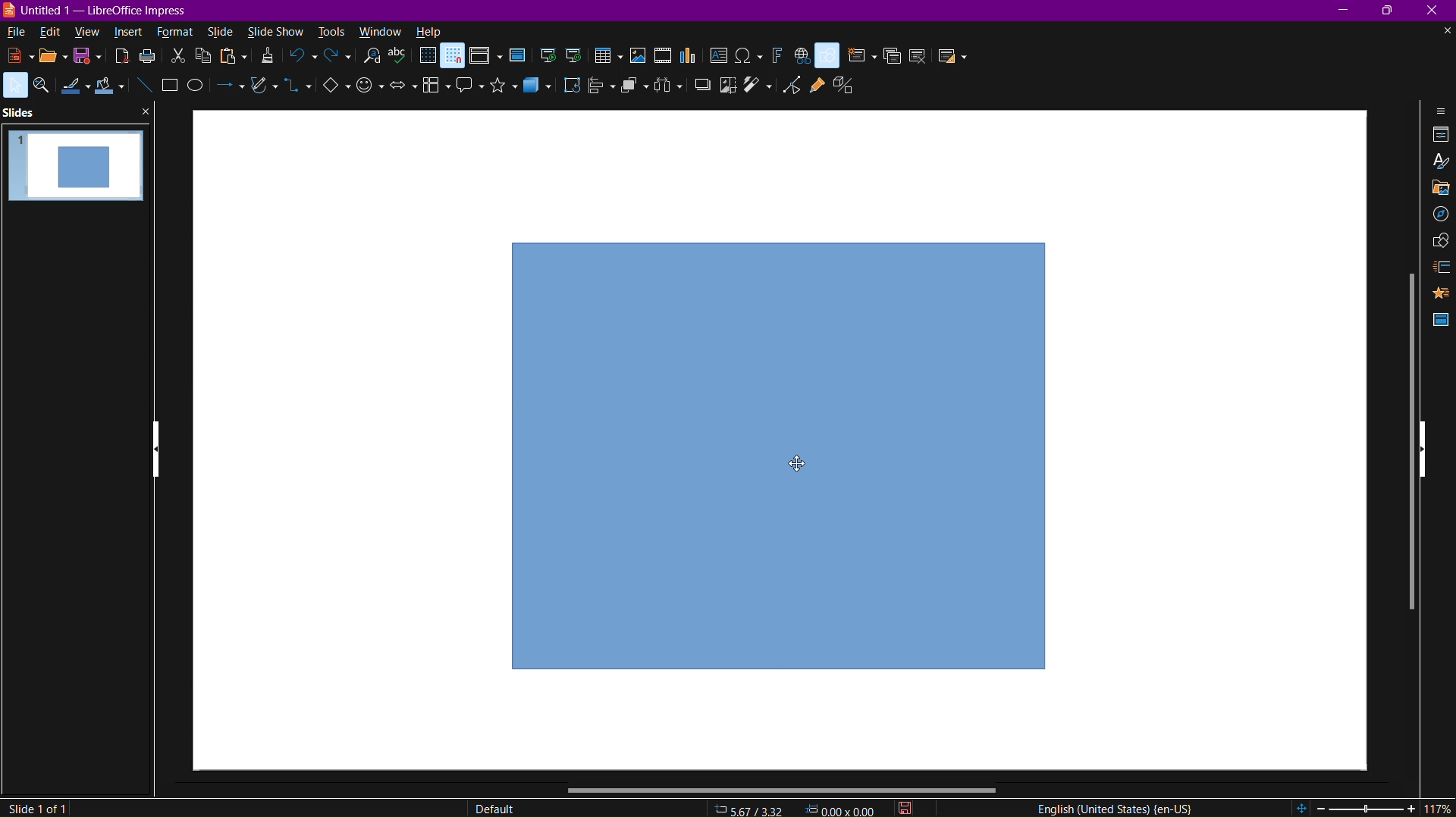 The image size is (1456, 817). I want to click on close document, so click(1445, 31).